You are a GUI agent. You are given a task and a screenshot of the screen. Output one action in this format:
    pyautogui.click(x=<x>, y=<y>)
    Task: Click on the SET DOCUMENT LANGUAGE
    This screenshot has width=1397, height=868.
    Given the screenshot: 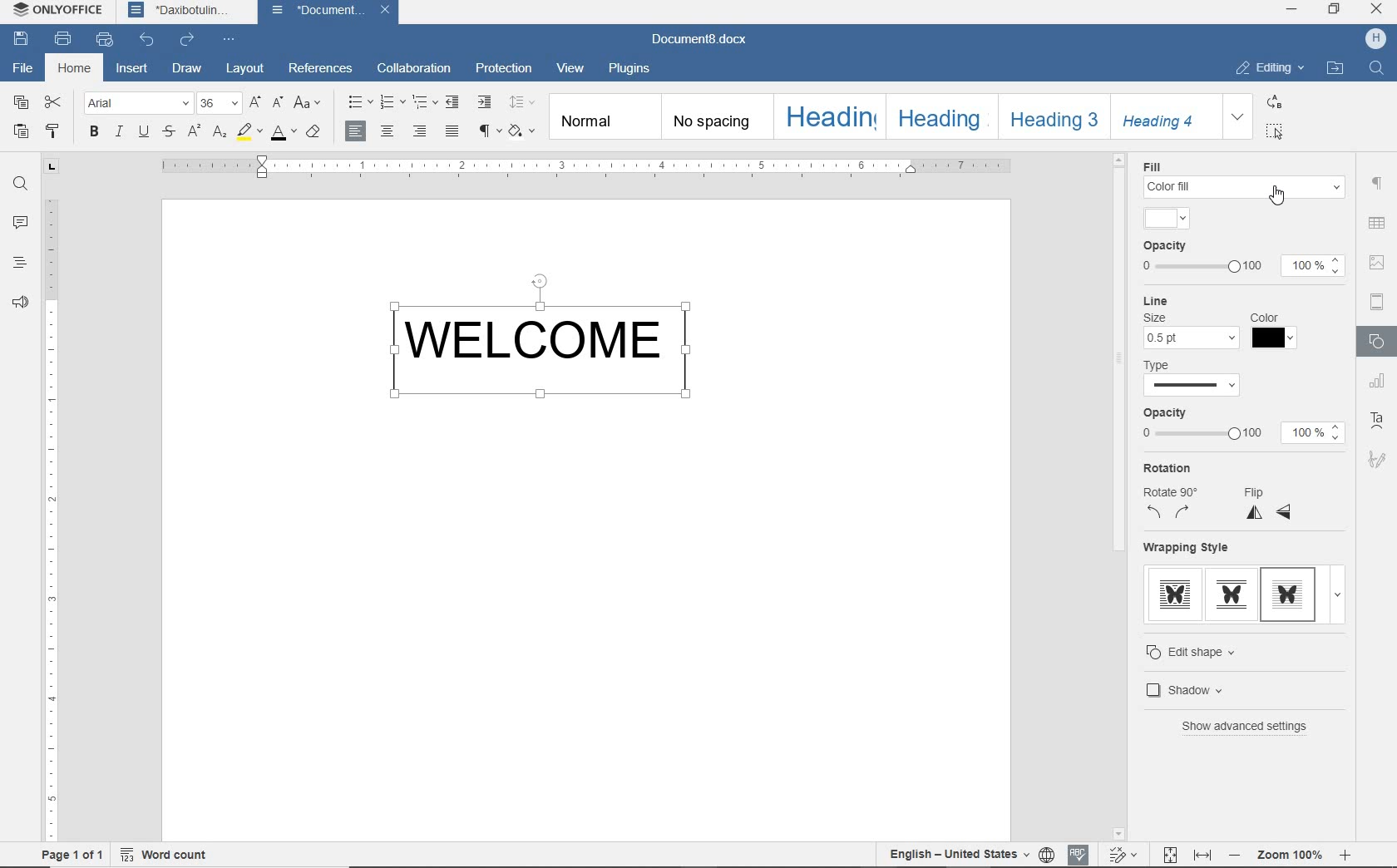 What is the action you would take?
    pyautogui.click(x=1048, y=856)
    